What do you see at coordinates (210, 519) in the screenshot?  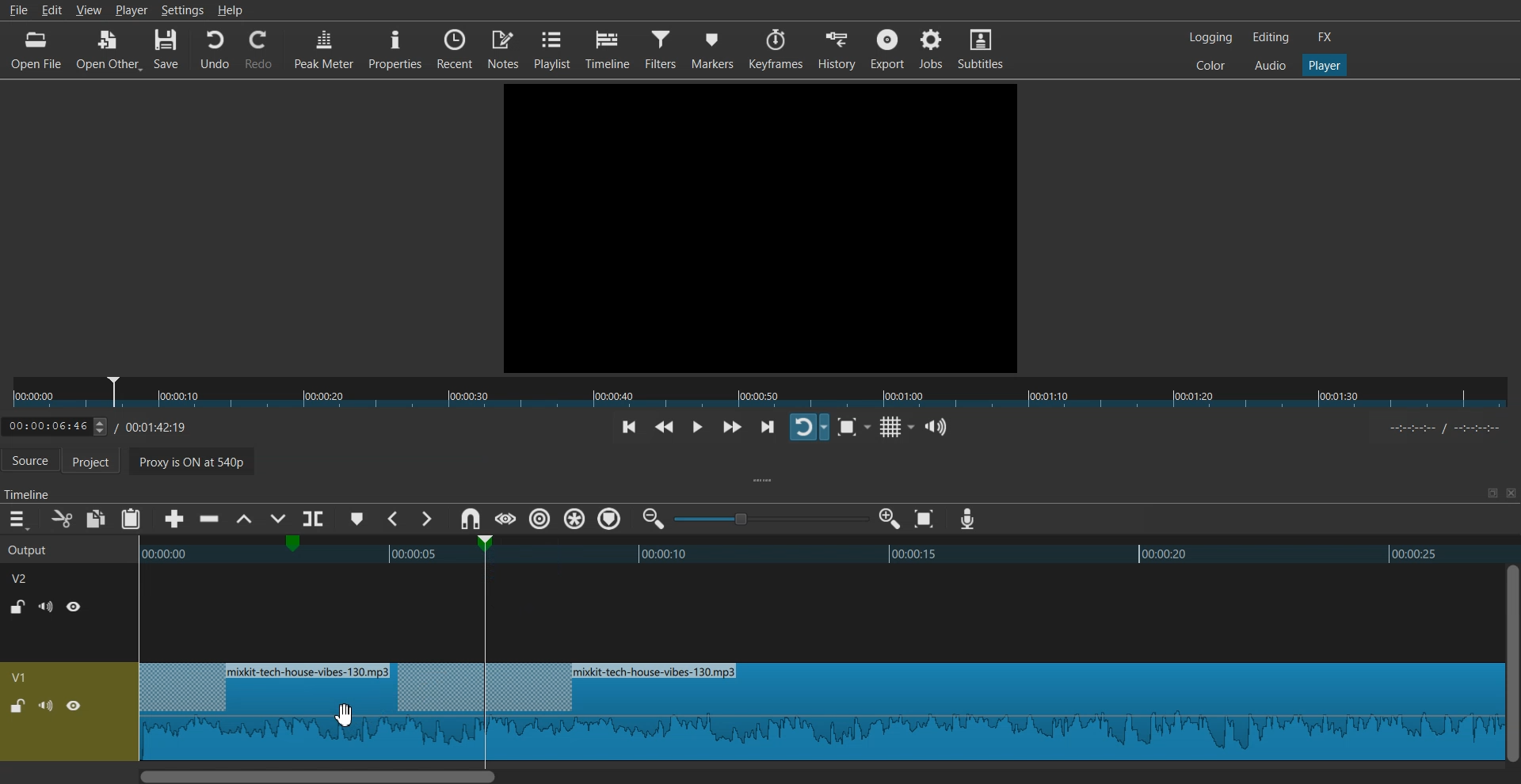 I see `Ripple delete` at bounding box center [210, 519].